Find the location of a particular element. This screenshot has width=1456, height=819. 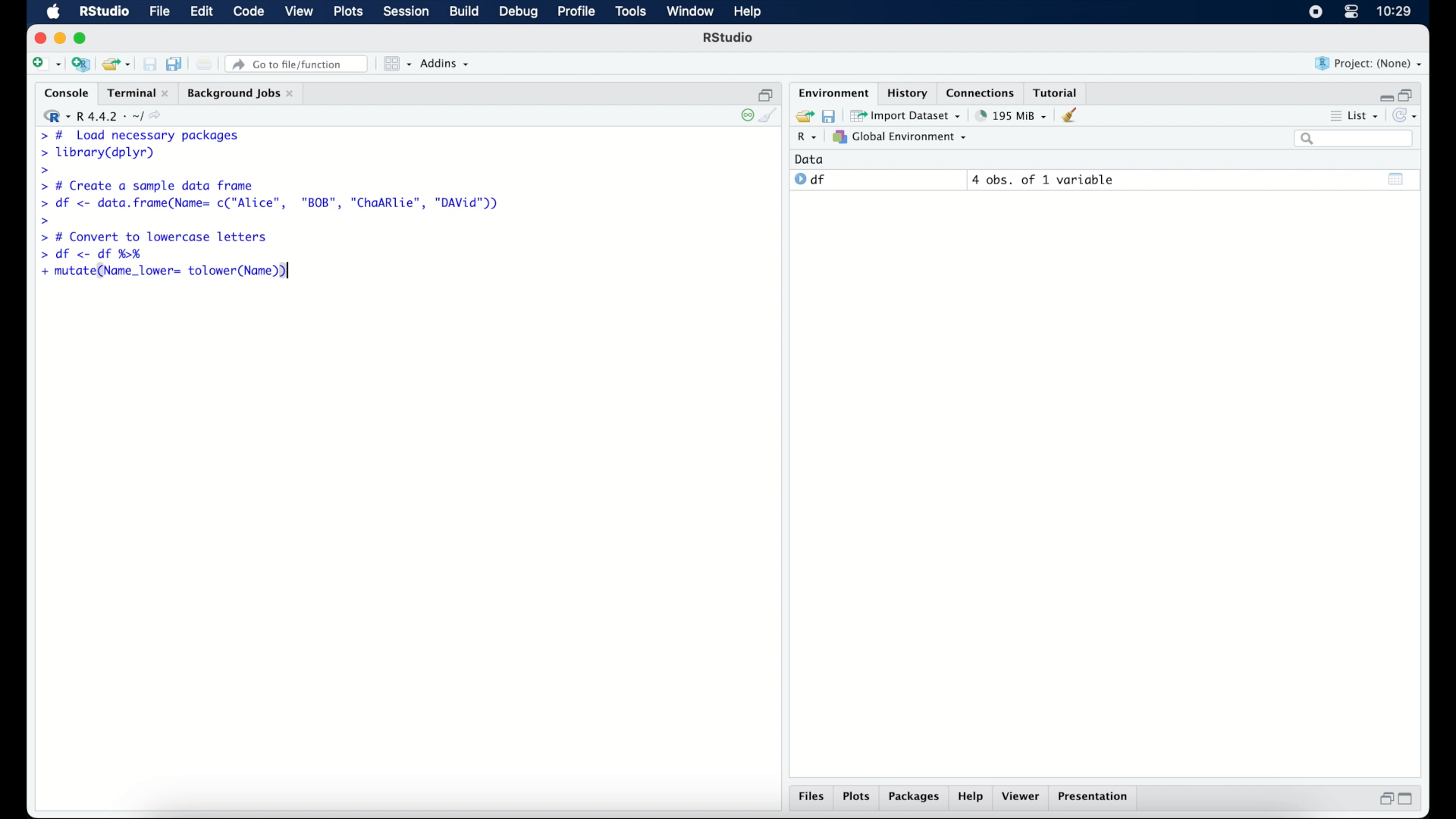

presentation is located at coordinates (1095, 798).